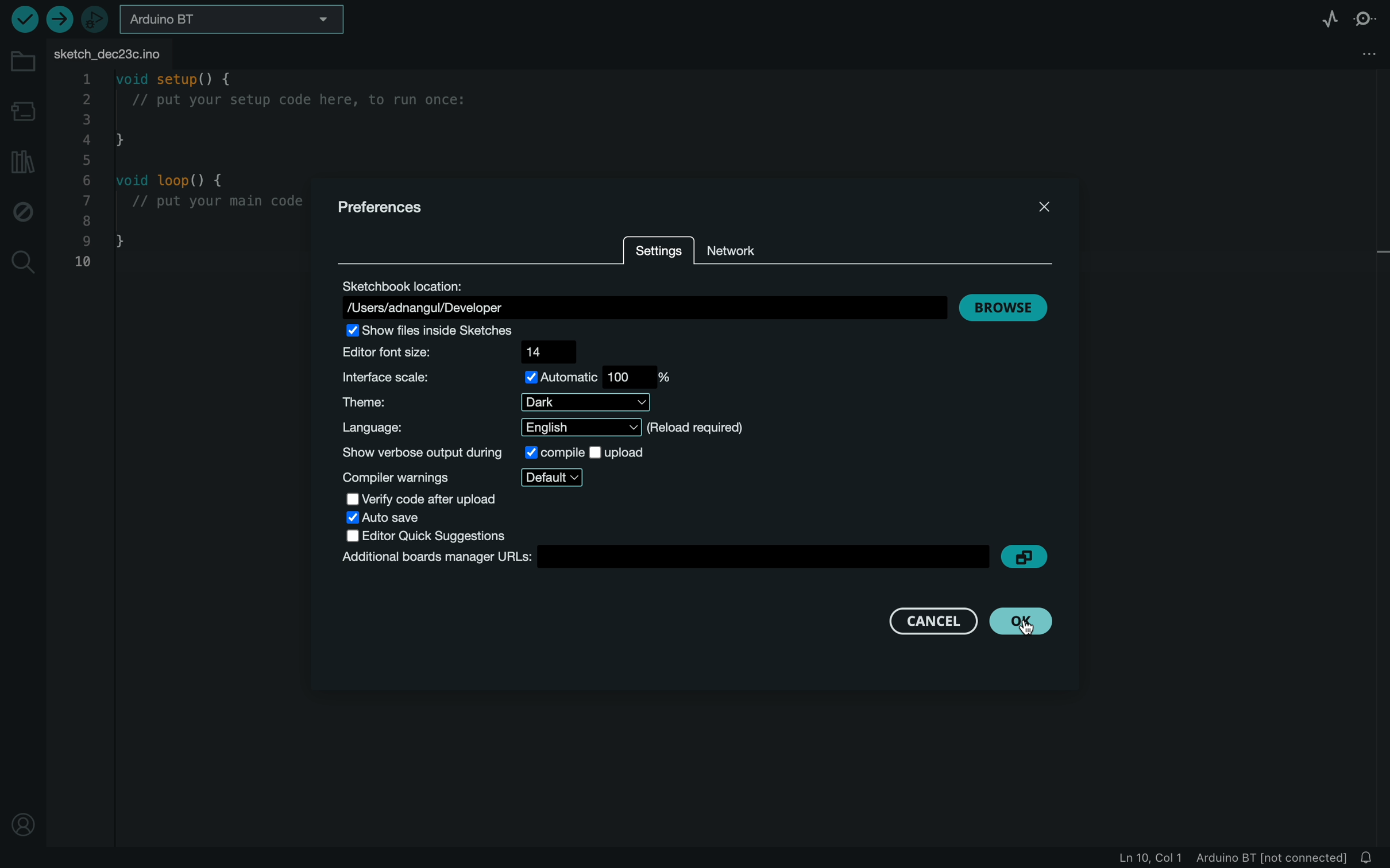  What do you see at coordinates (228, 21) in the screenshot?
I see `board selecter` at bounding box center [228, 21].